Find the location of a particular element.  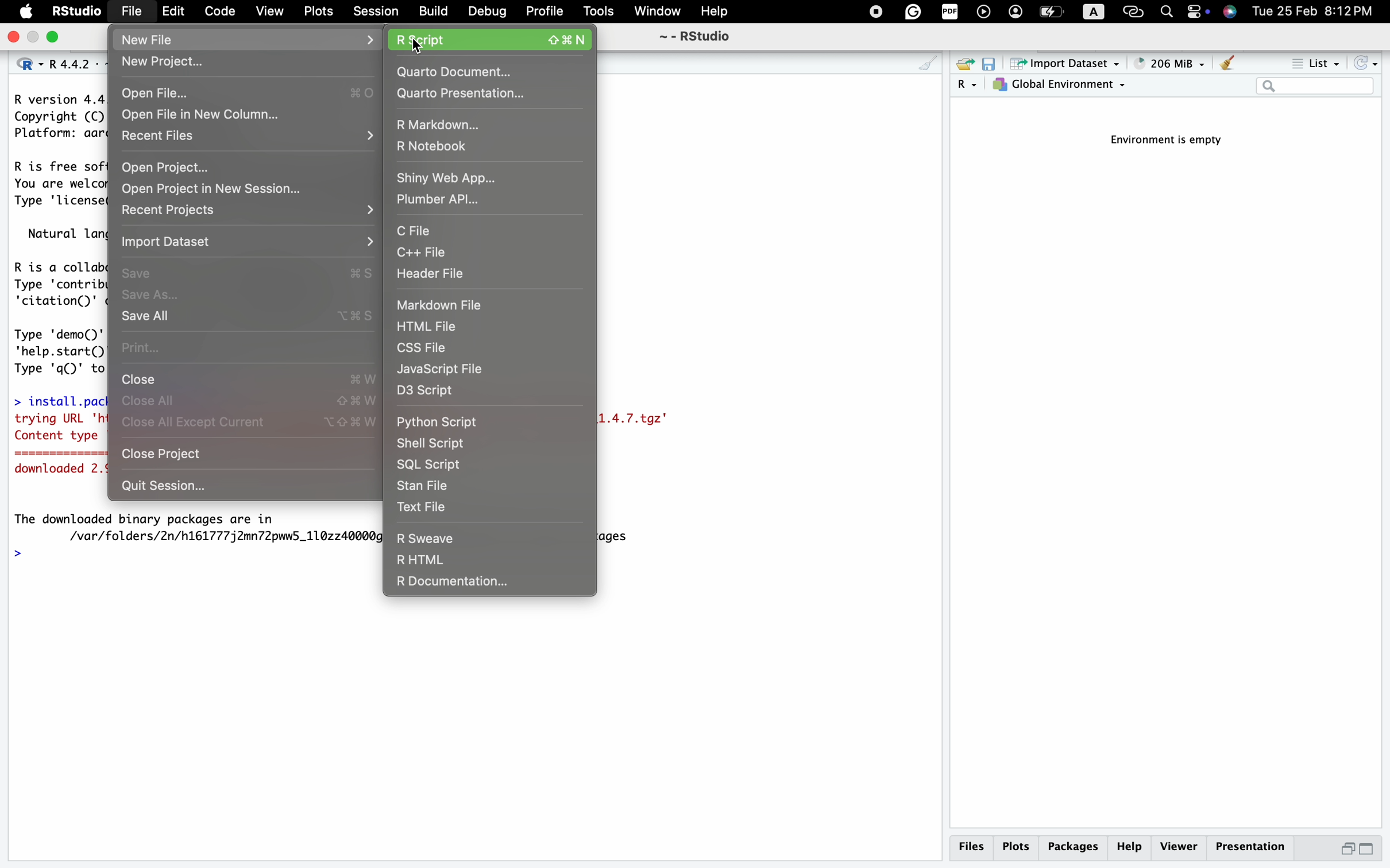

header file is located at coordinates (495, 276).